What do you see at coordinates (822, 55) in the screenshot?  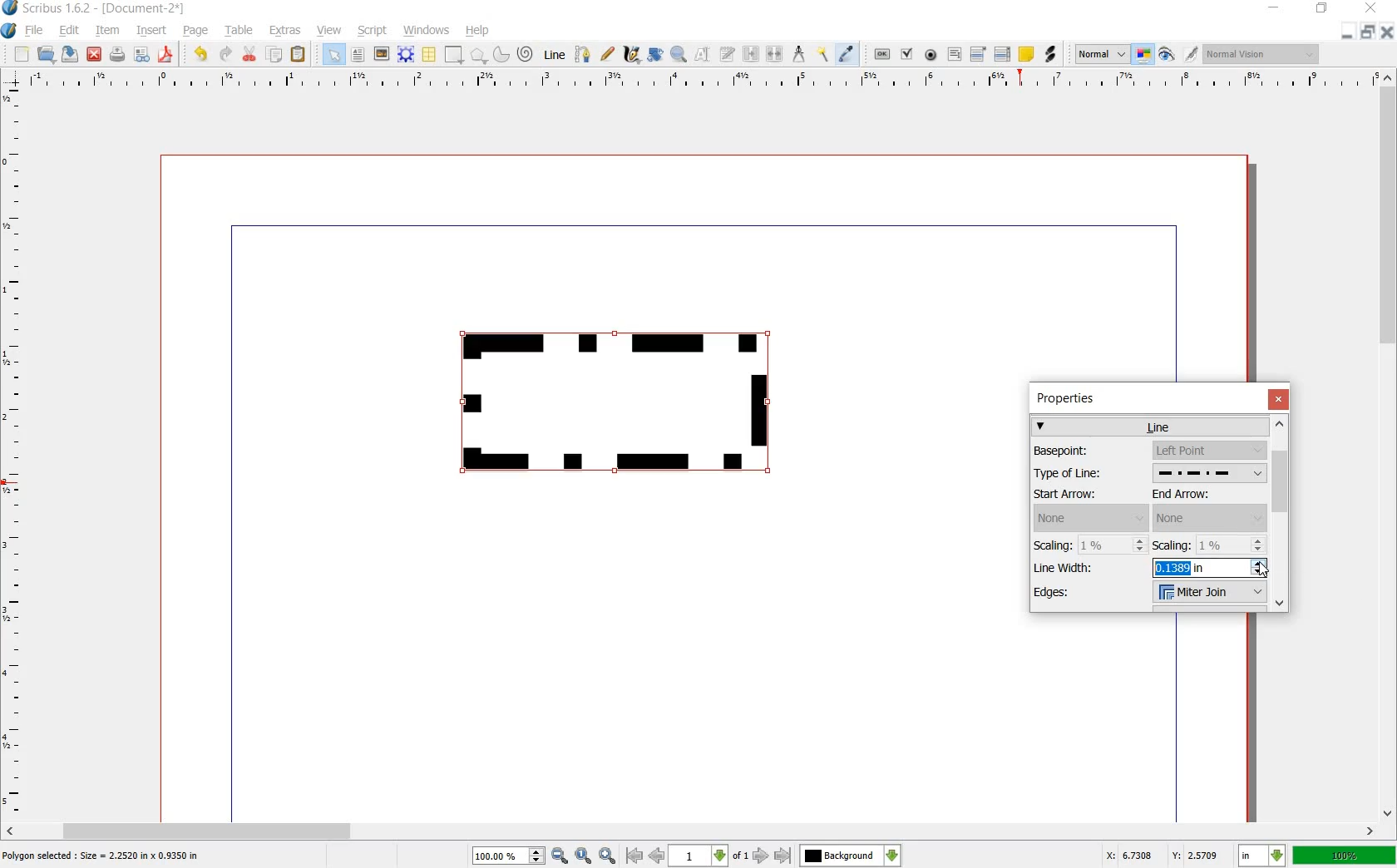 I see `COPY ITEM PROPERTIES` at bounding box center [822, 55].